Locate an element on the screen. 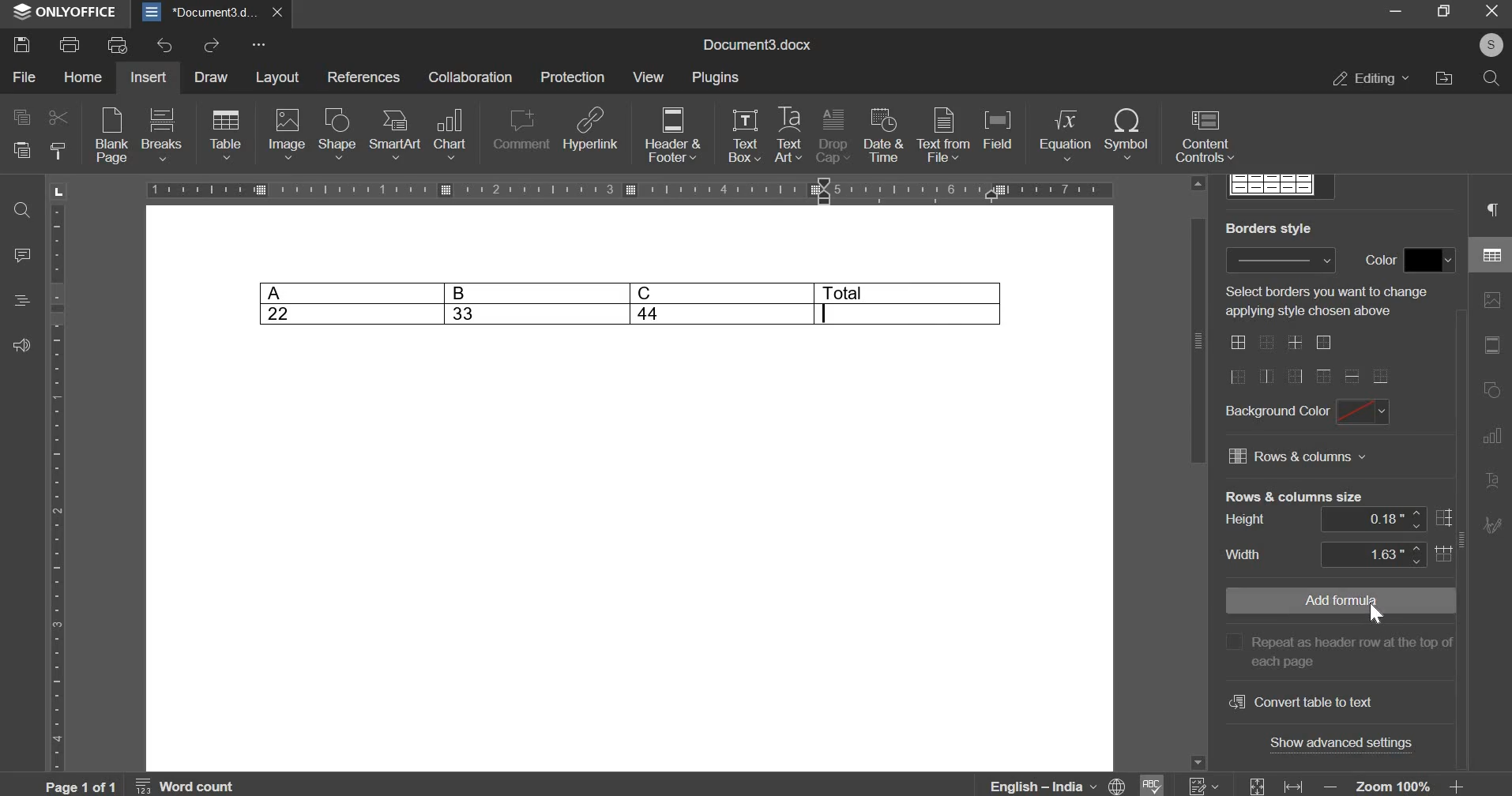 The image size is (1512, 796). width is located at coordinates (1244, 554).